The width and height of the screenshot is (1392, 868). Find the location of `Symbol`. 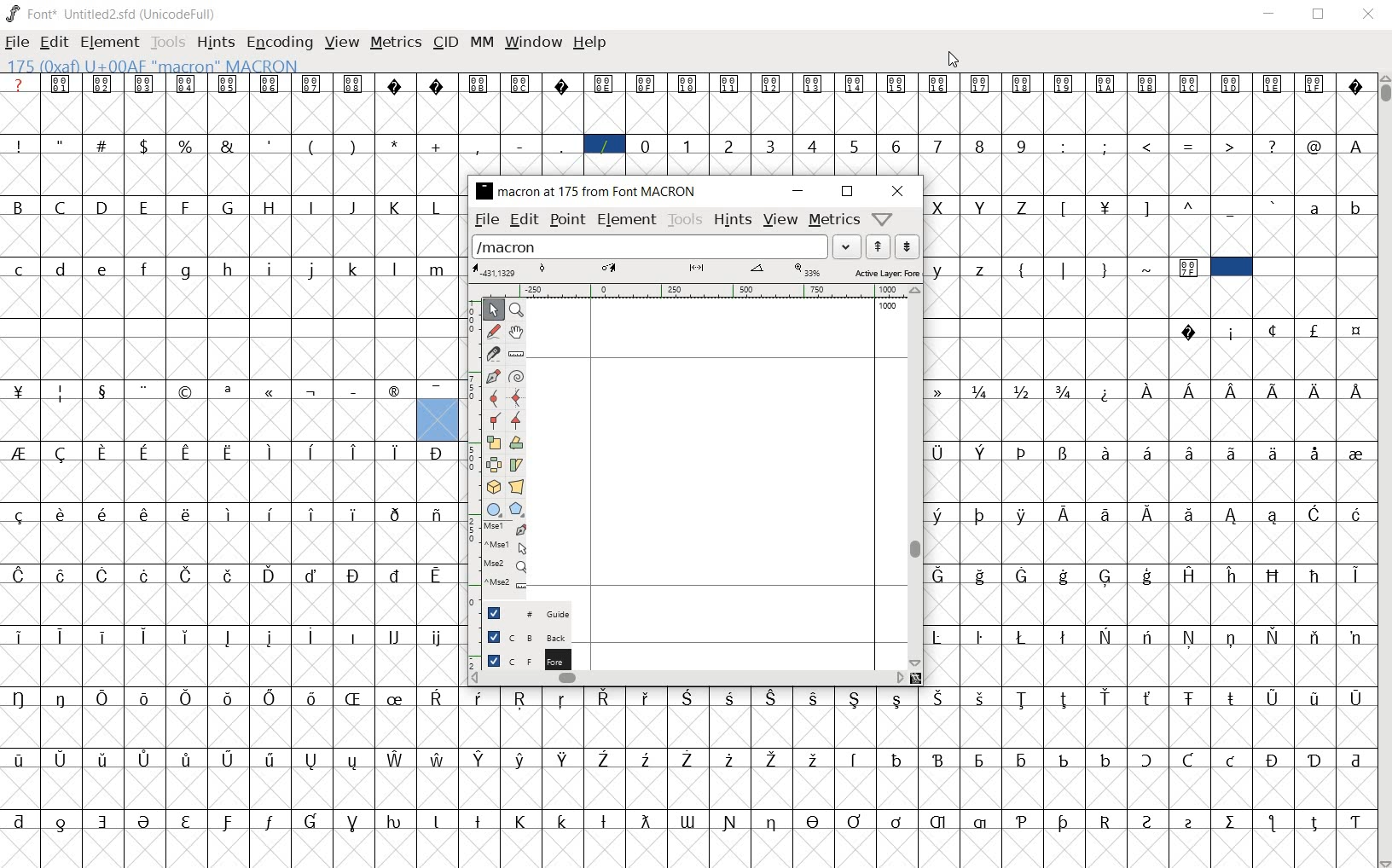

Symbol is located at coordinates (20, 454).